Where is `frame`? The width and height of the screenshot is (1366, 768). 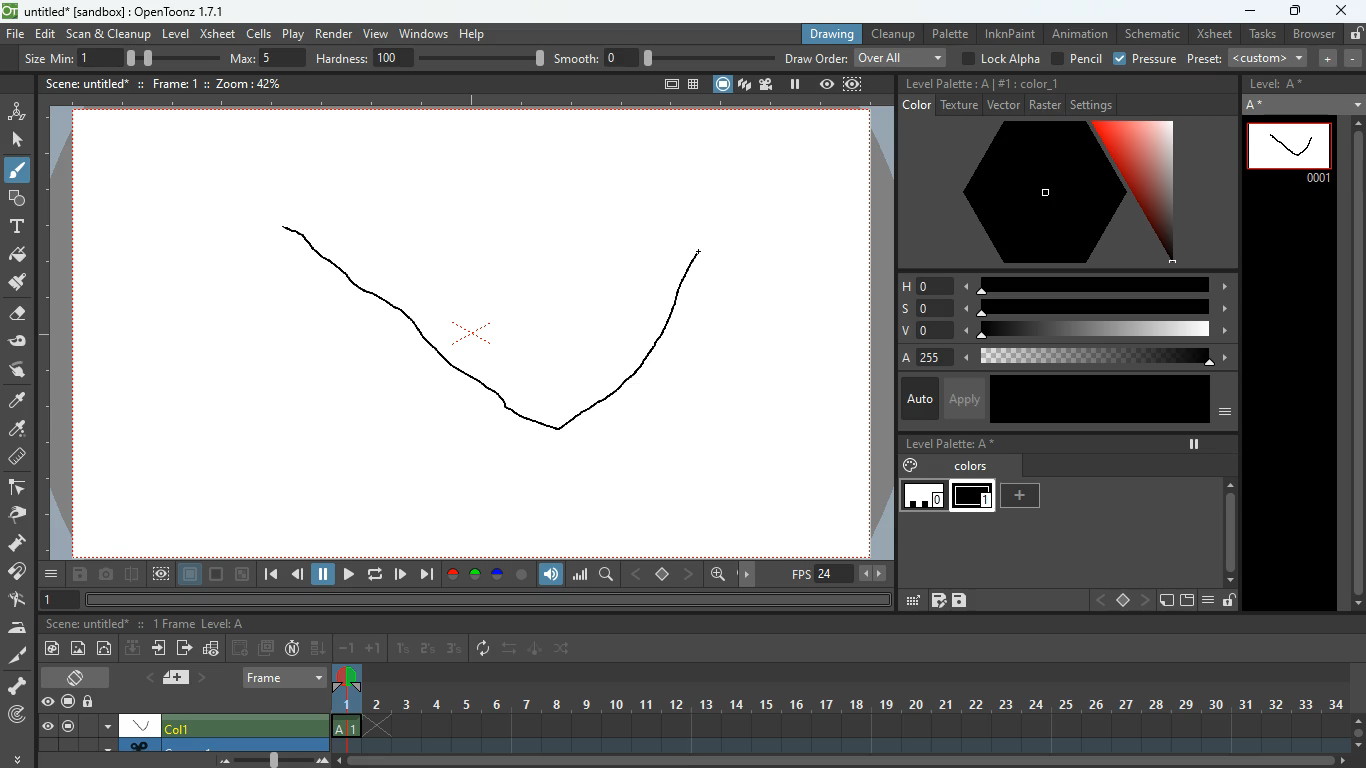 frame is located at coordinates (1290, 152).